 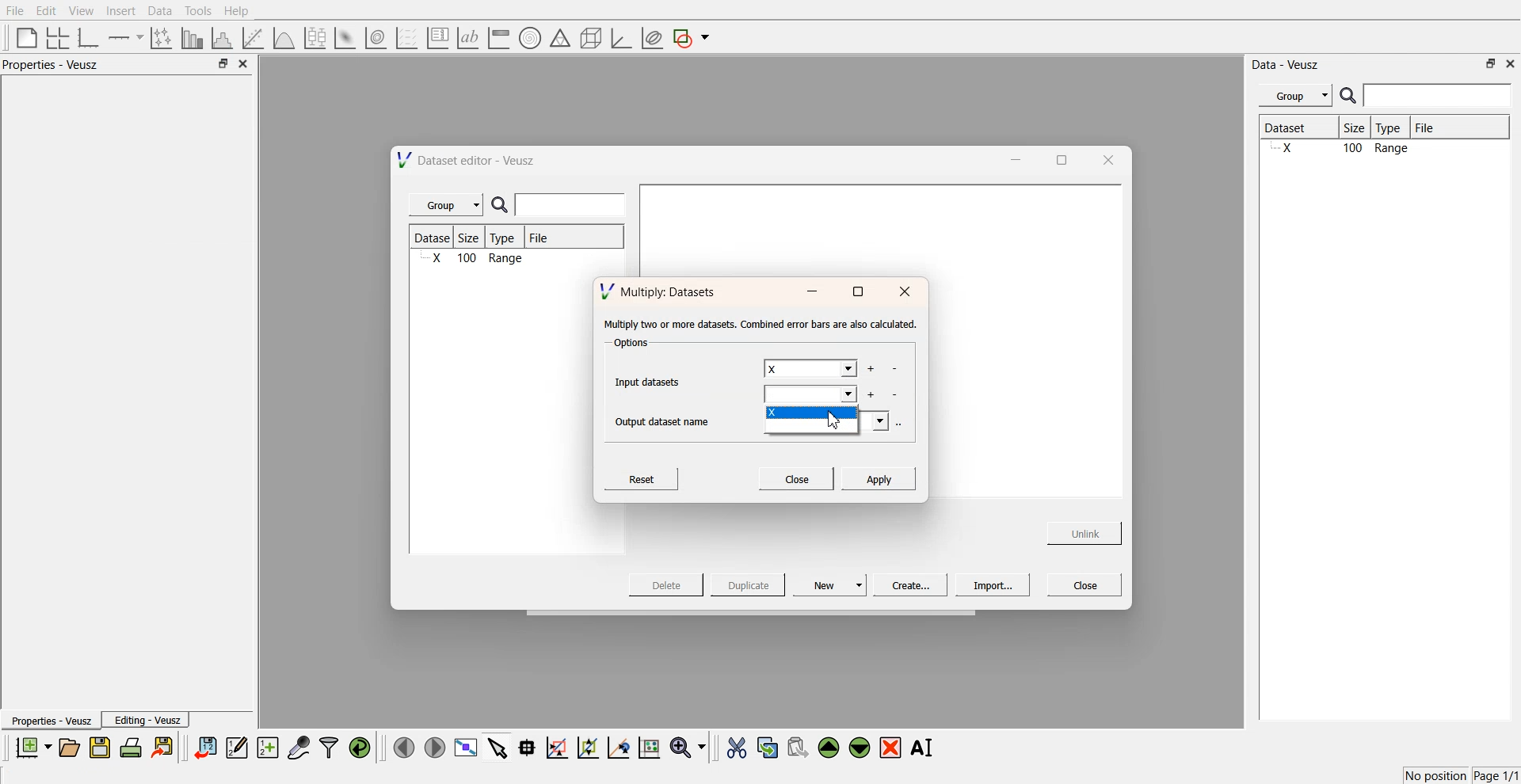 I want to click on plot a function on a graph, so click(x=284, y=36).